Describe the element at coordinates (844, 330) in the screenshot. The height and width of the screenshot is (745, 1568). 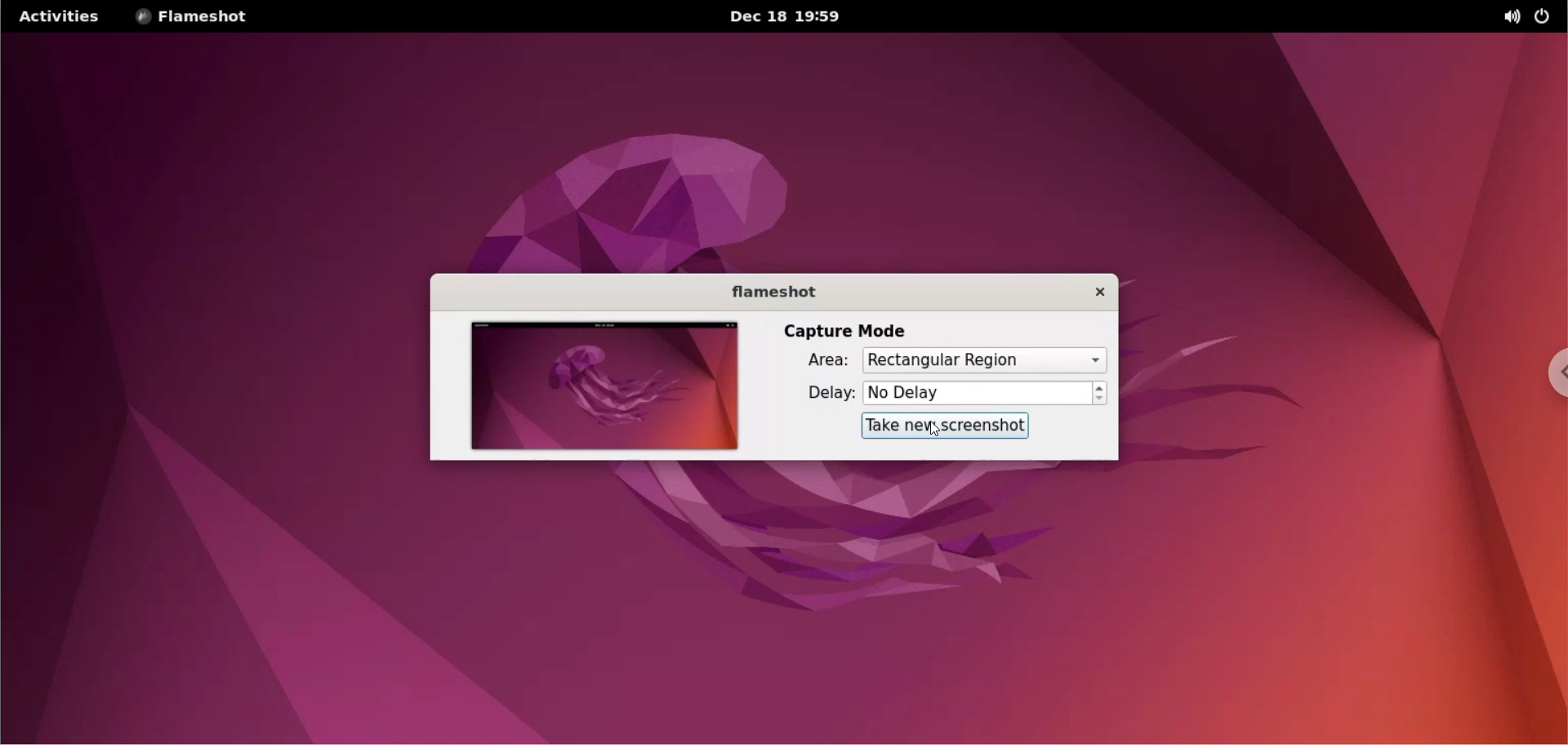
I see `capture mode label` at that location.